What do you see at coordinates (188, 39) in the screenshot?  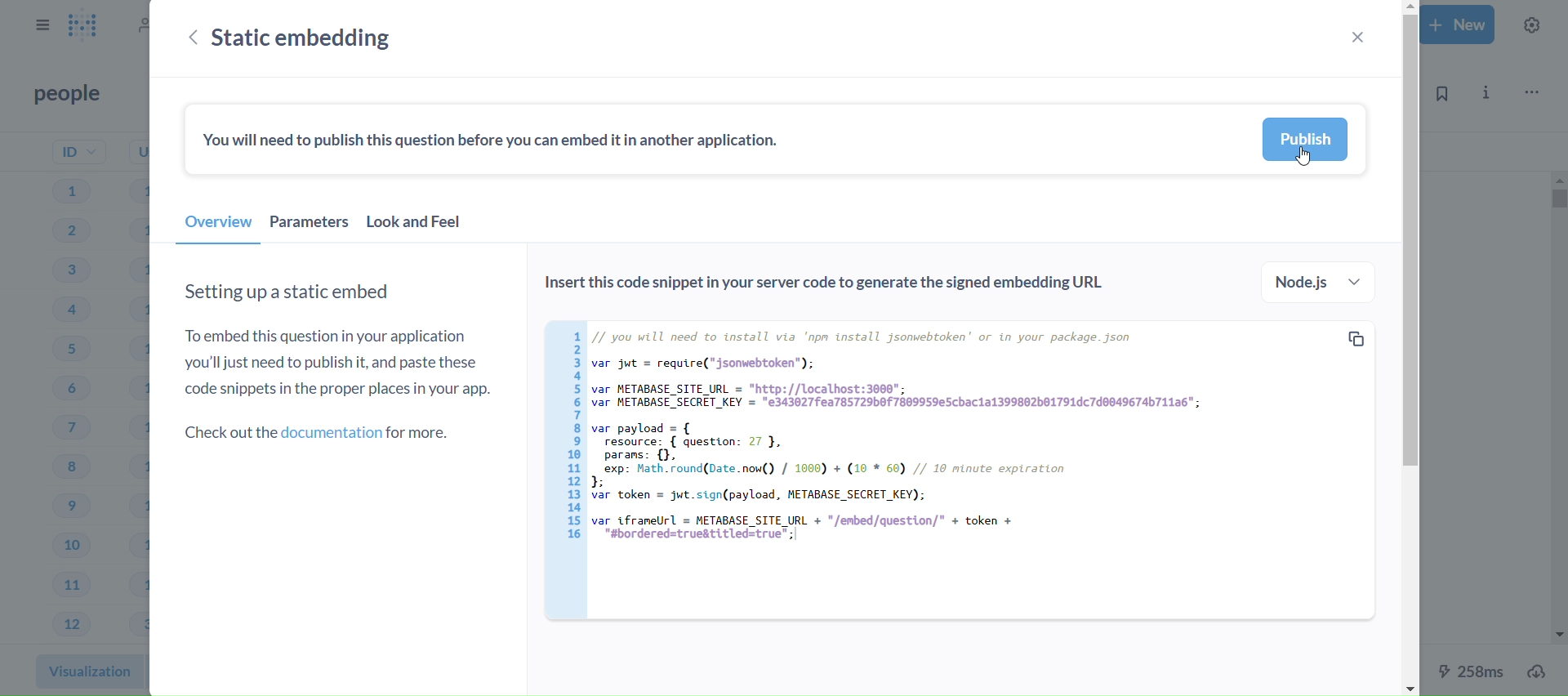 I see `back ` at bounding box center [188, 39].